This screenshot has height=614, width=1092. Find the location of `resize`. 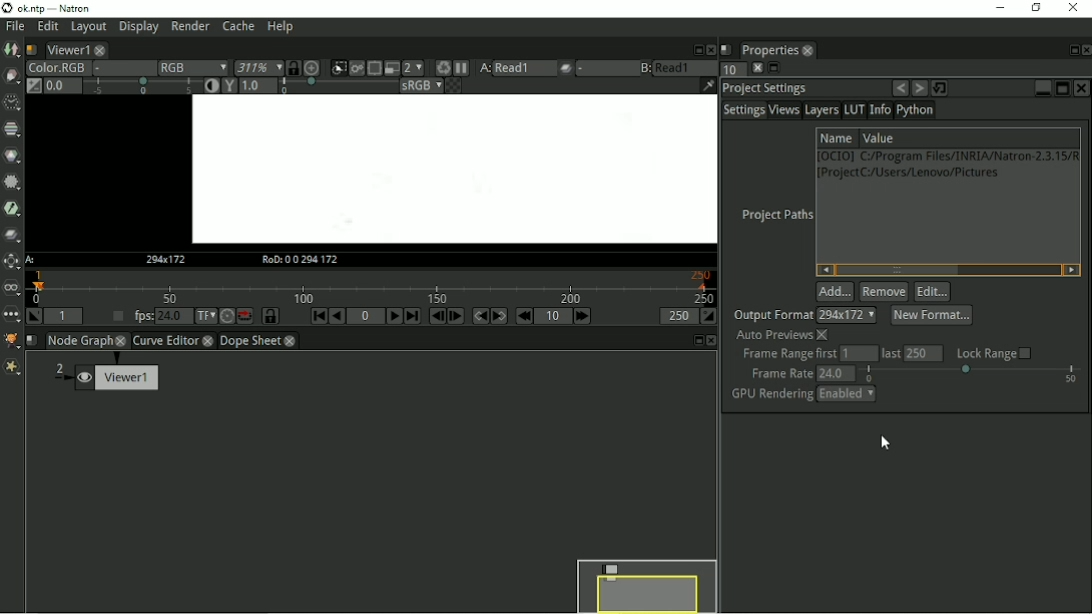

resize is located at coordinates (697, 49).